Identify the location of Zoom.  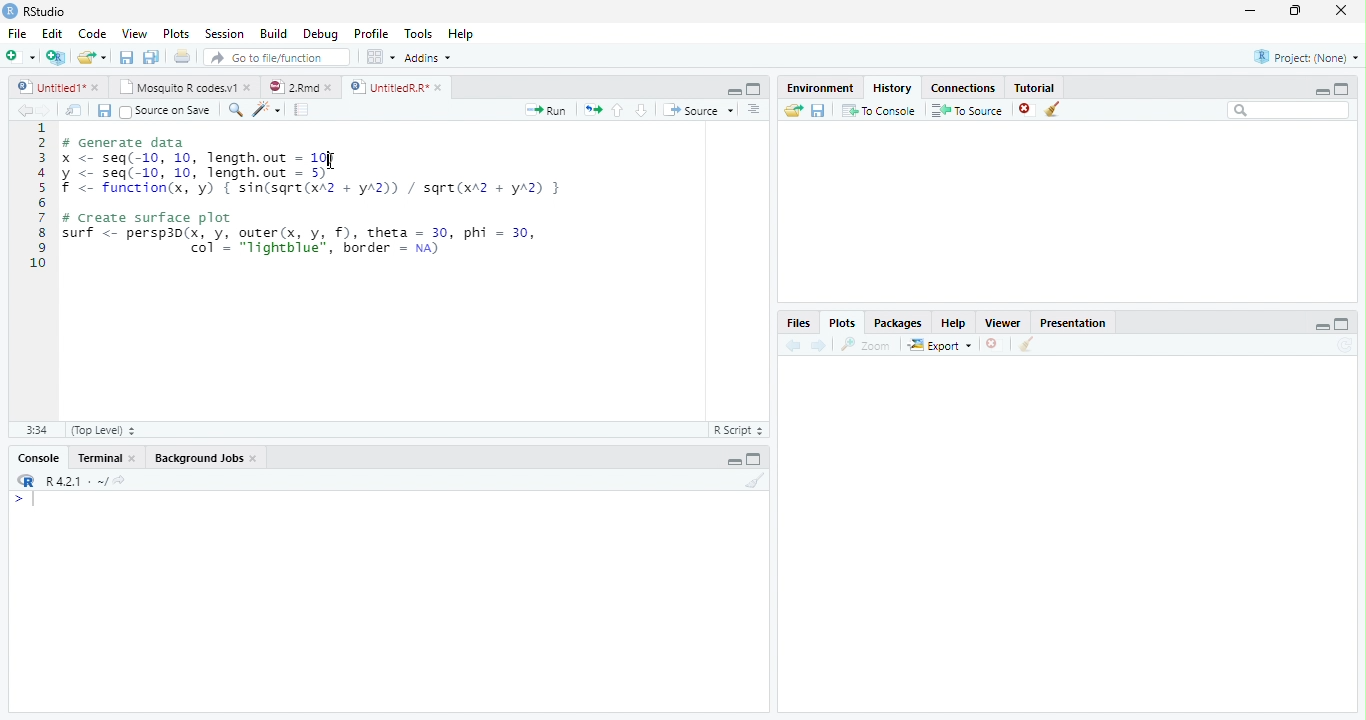
(865, 345).